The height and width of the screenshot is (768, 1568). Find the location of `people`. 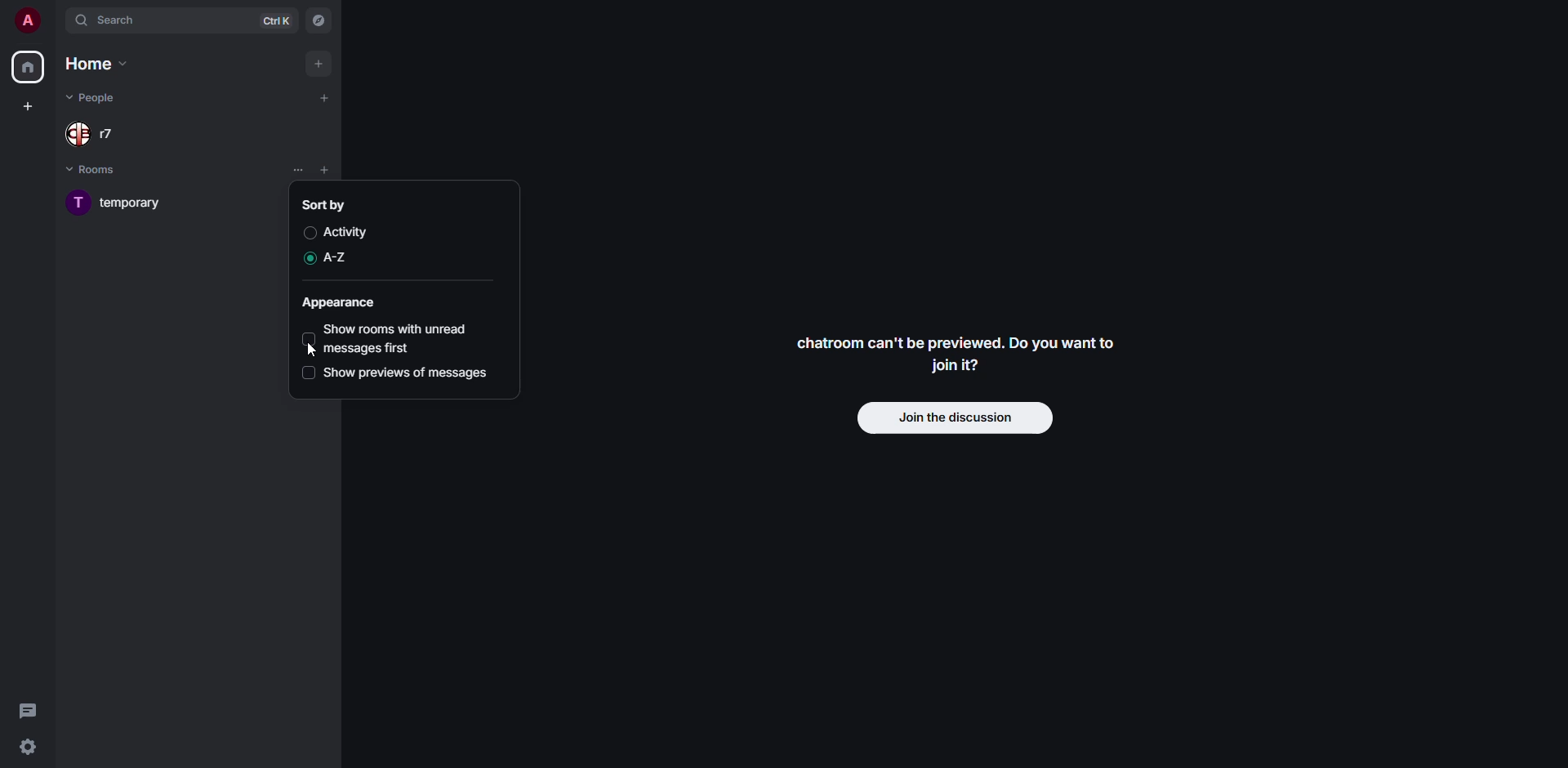

people is located at coordinates (98, 132).